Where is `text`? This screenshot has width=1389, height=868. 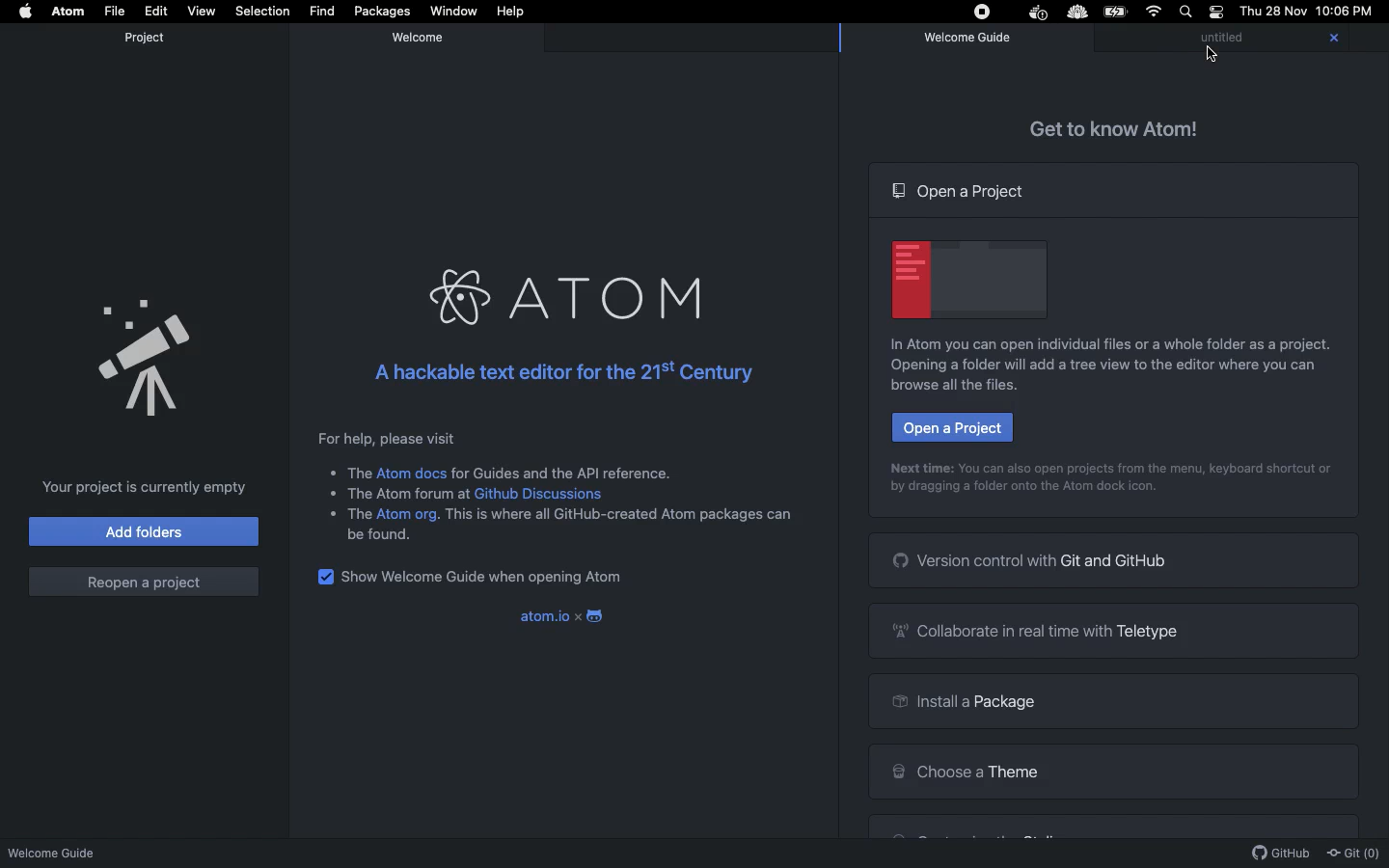 text is located at coordinates (382, 535).